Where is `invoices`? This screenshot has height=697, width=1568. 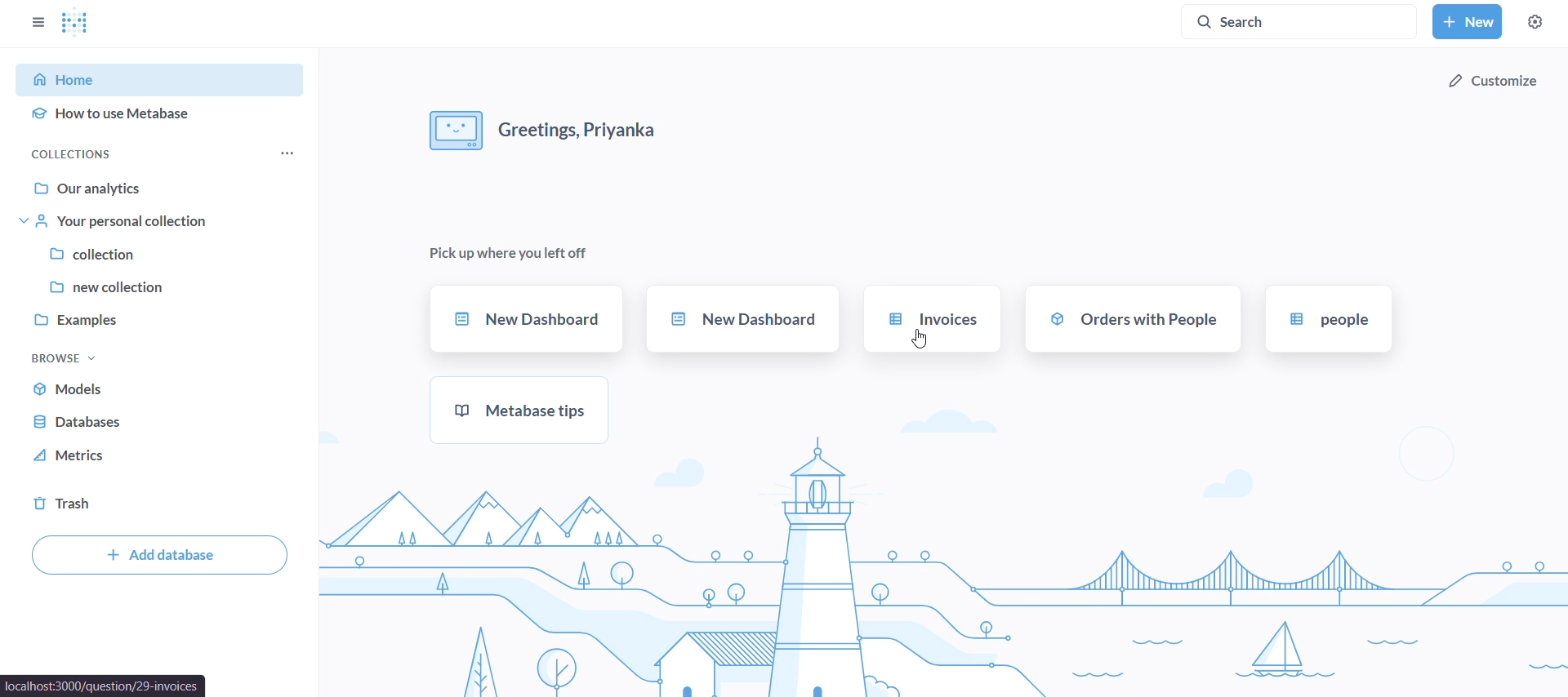 invoices is located at coordinates (932, 317).